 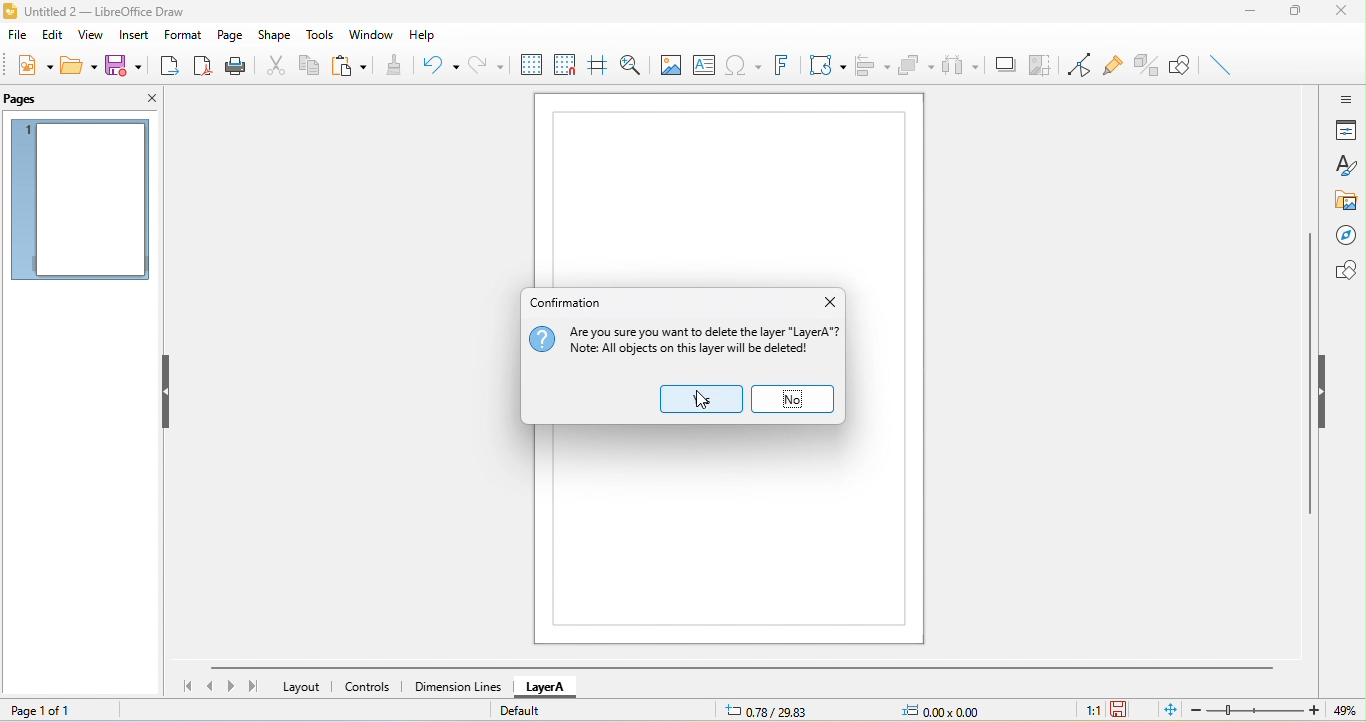 I want to click on controls, so click(x=374, y=687).